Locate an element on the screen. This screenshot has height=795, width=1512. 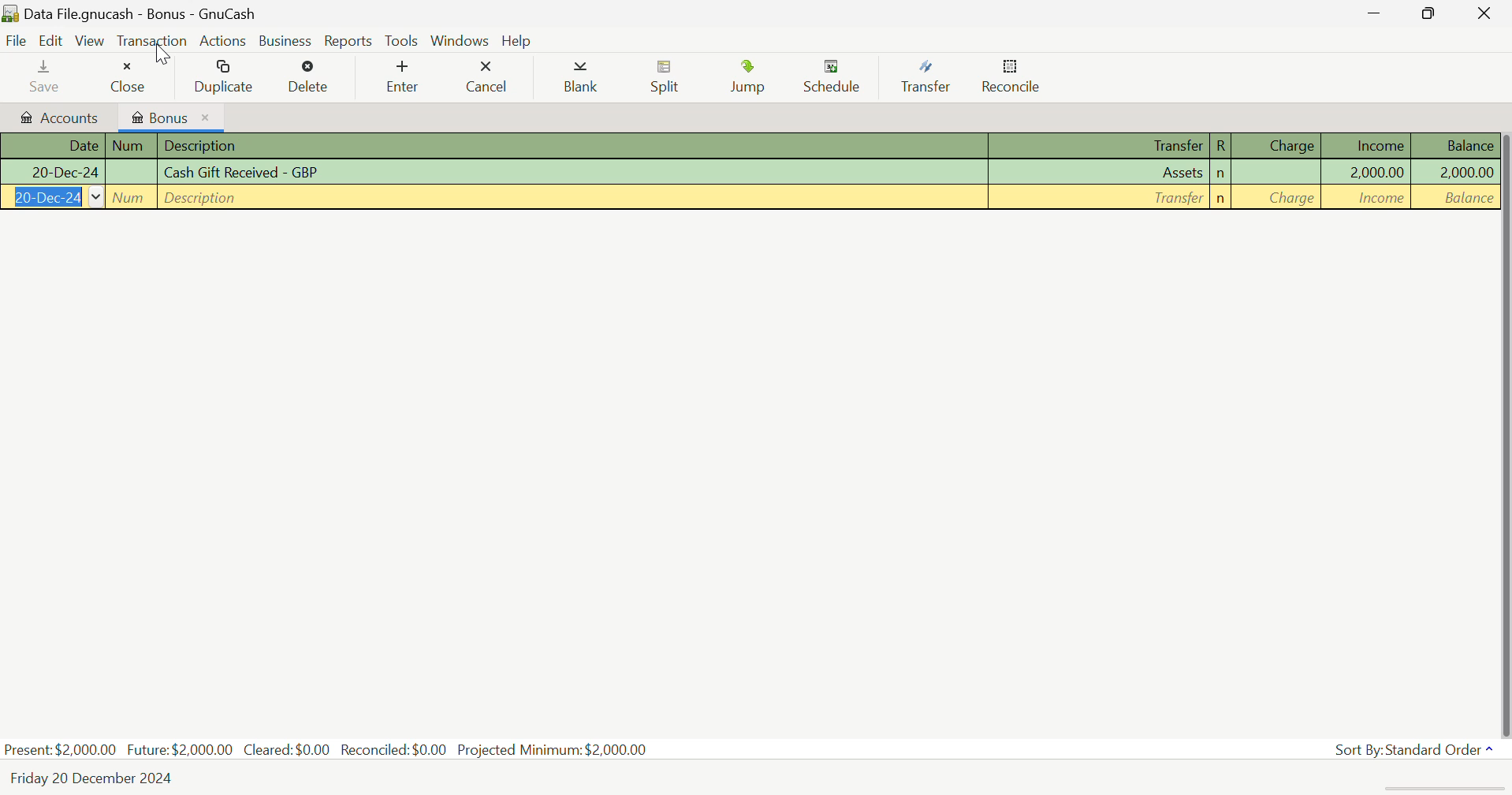
Edit is located at coordinates (54, 41).